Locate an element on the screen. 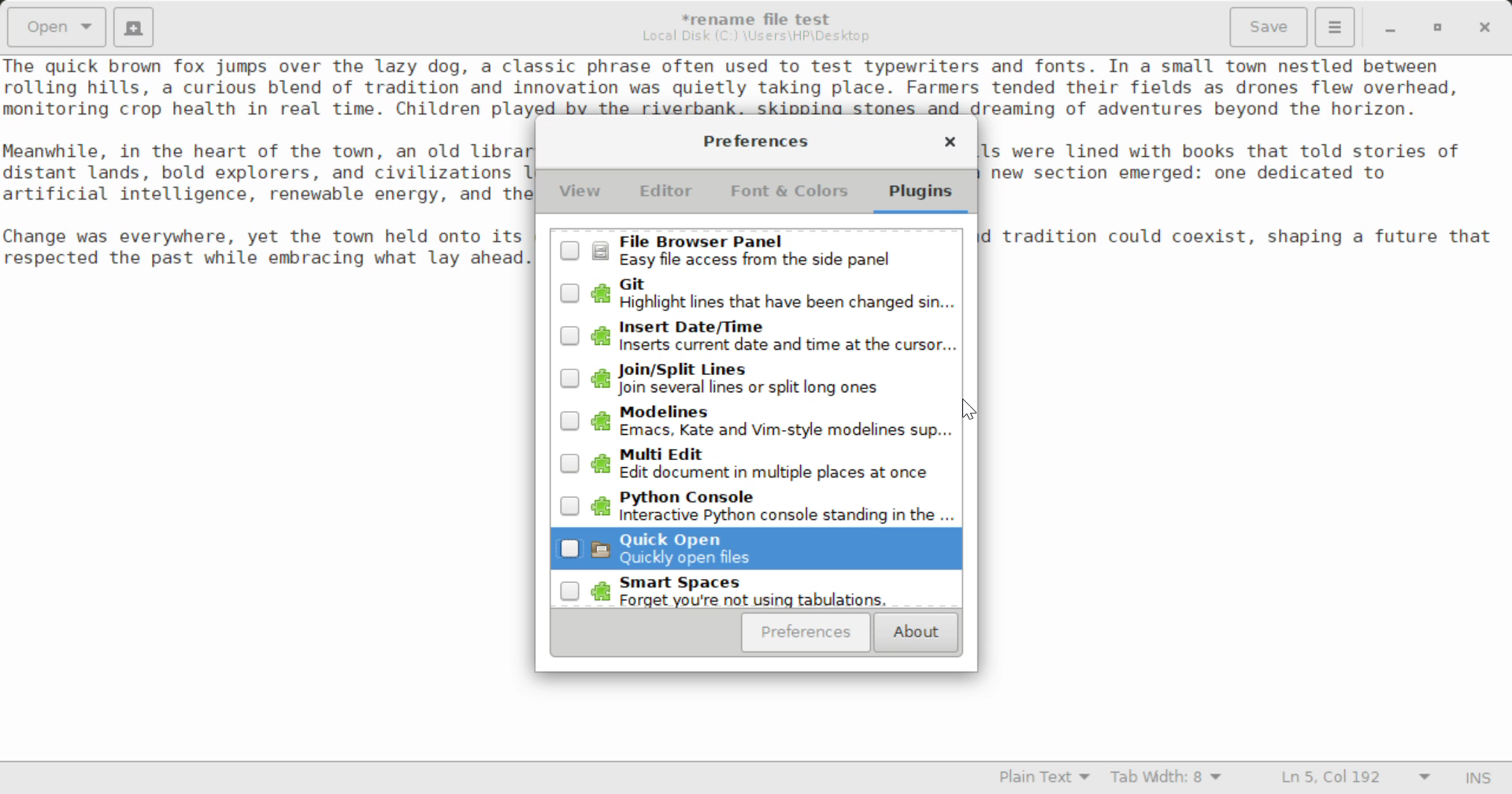 The image size is (1512, 794). Tab Width  is located at coordinates (1169, 779).